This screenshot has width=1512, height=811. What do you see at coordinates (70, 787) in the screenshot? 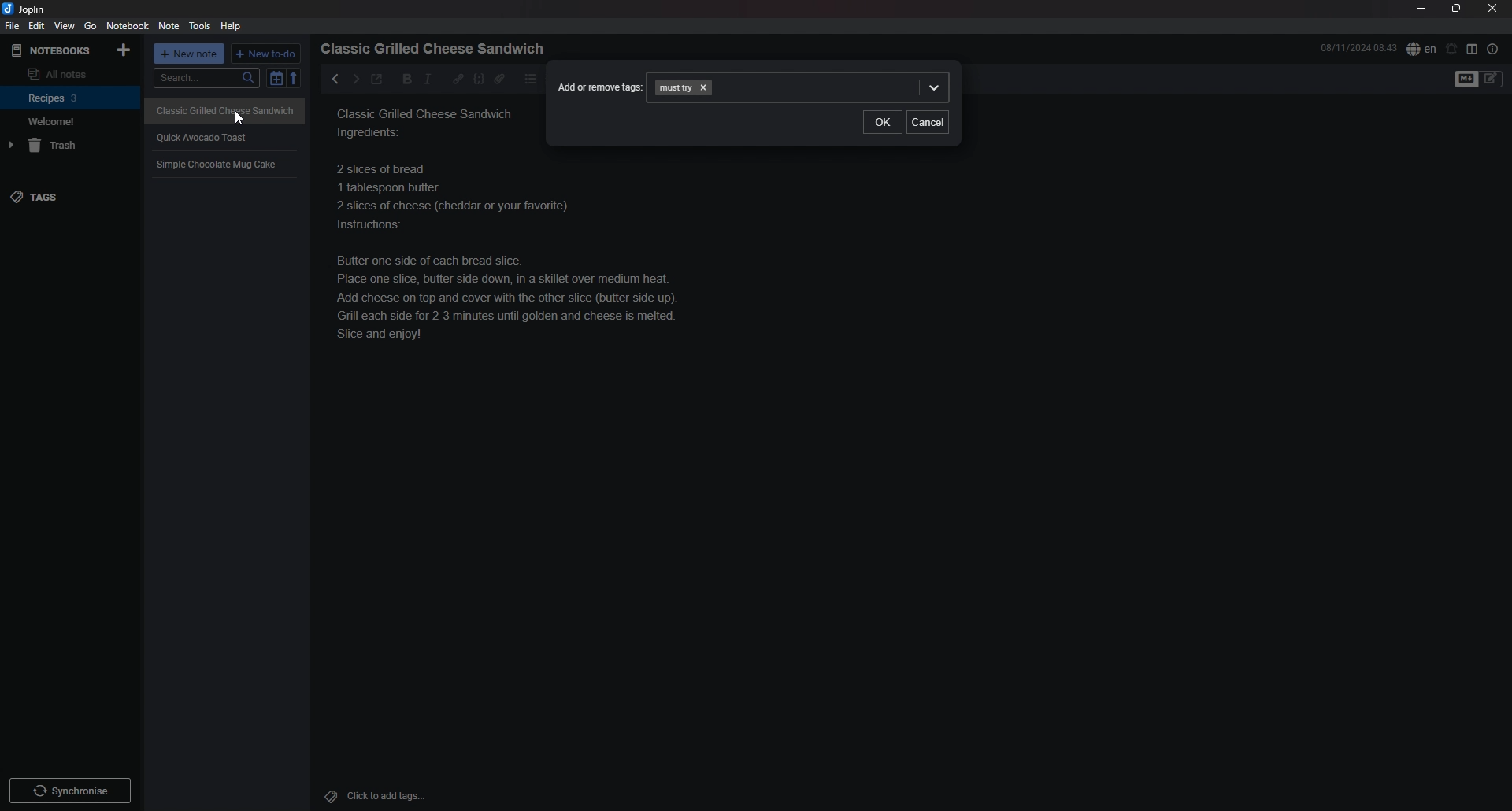
I see `` at bounding box center [70, 787].